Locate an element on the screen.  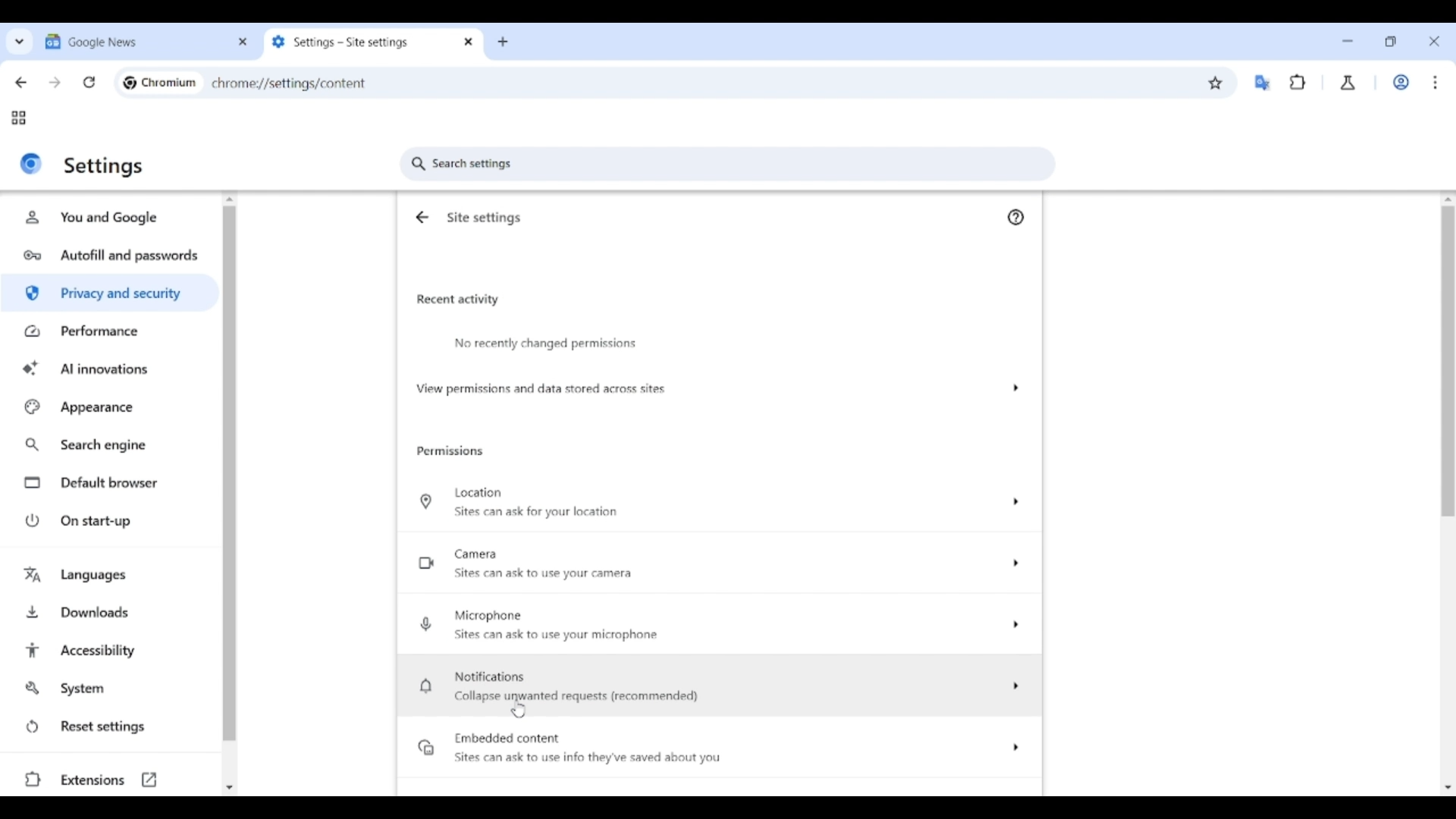
Quick slide to bottom is located at coordinates (229, 788).